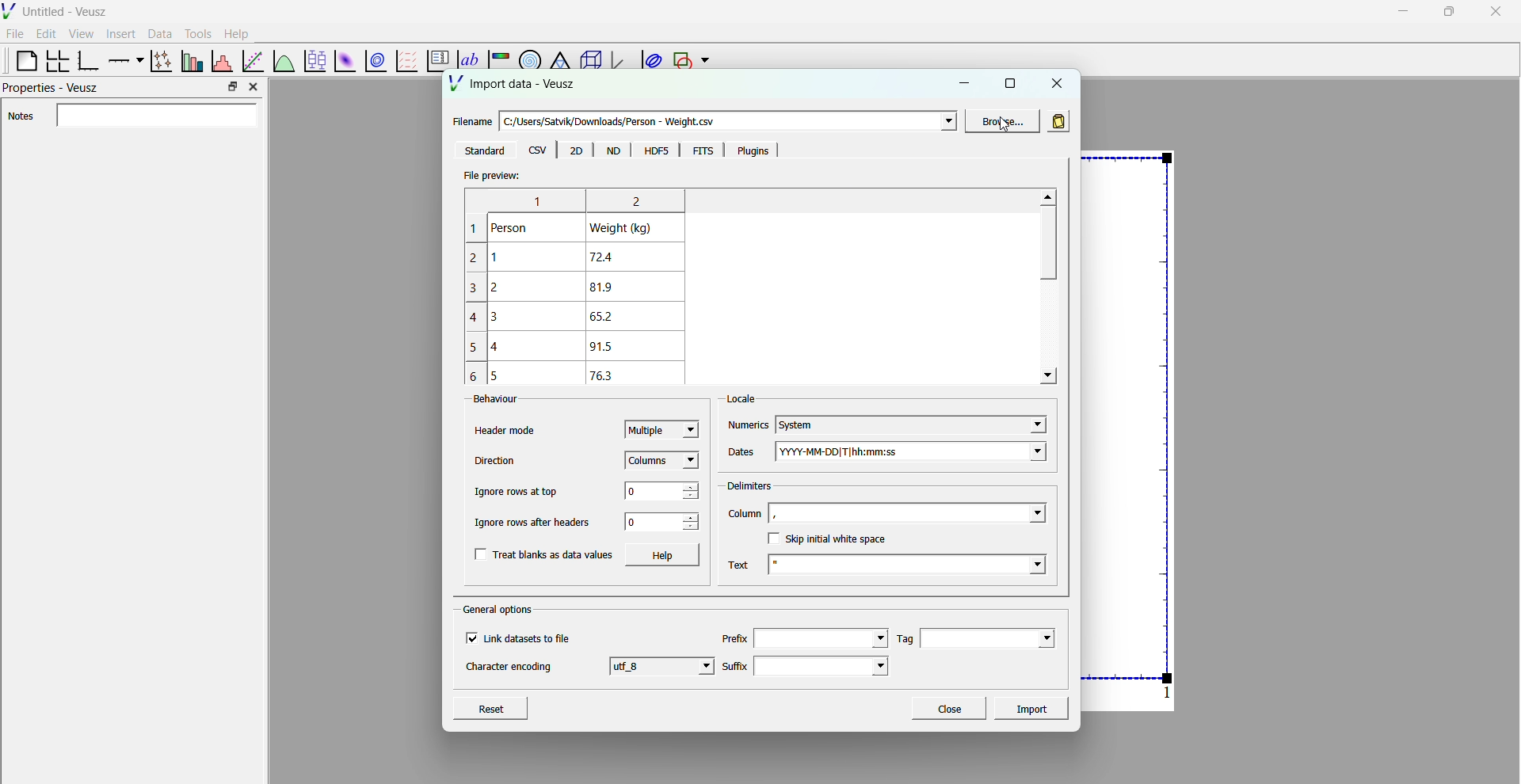 The width and height of the screenshot is (1521, 784). What do you see at coordinates (829, 666) in the screenshot?
I see `suffix dropdown` at bounding box center [829, 666].